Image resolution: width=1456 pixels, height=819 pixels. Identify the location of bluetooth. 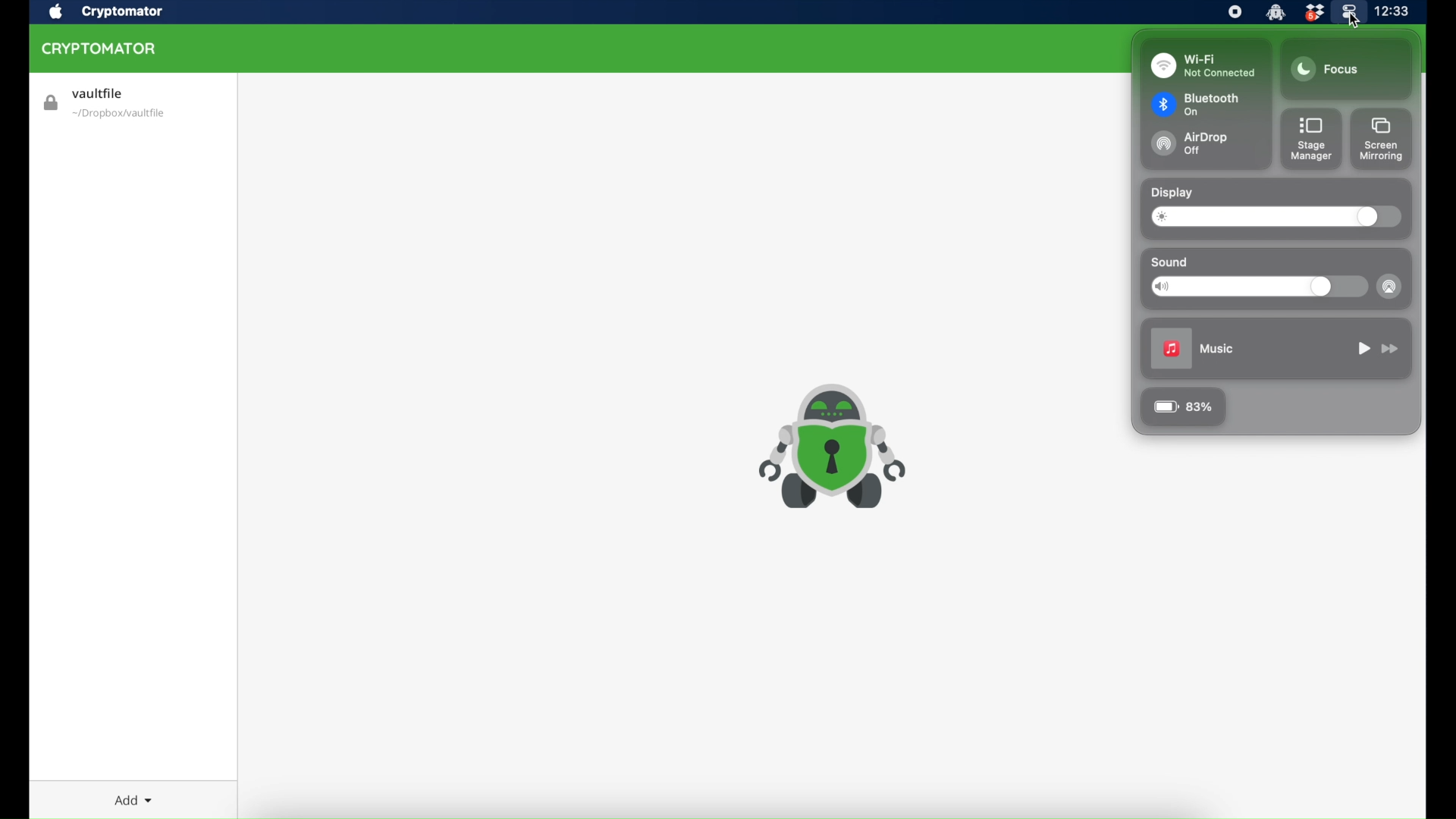
(1195, 105).